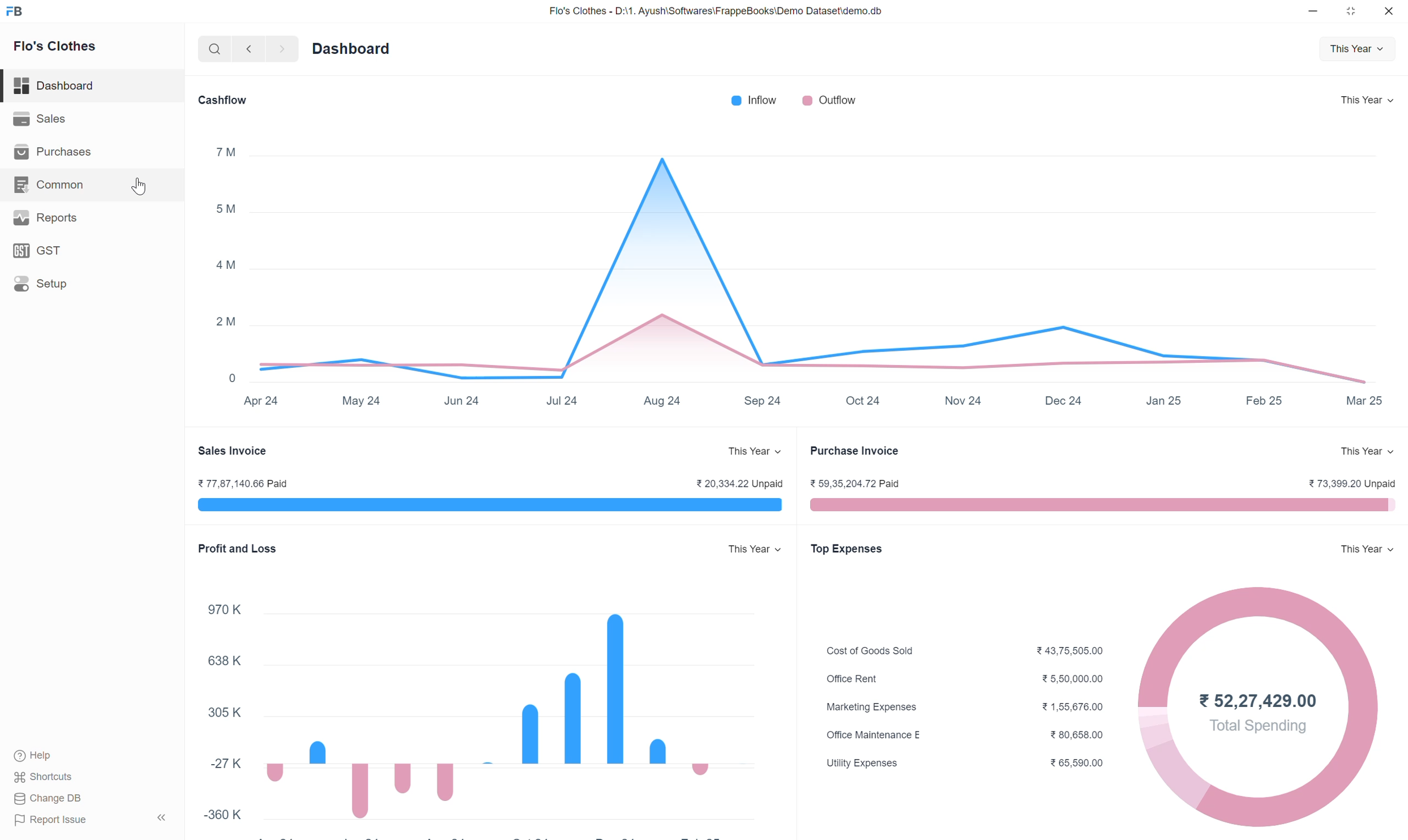  I want to click on dashboard, so click(355, 49).